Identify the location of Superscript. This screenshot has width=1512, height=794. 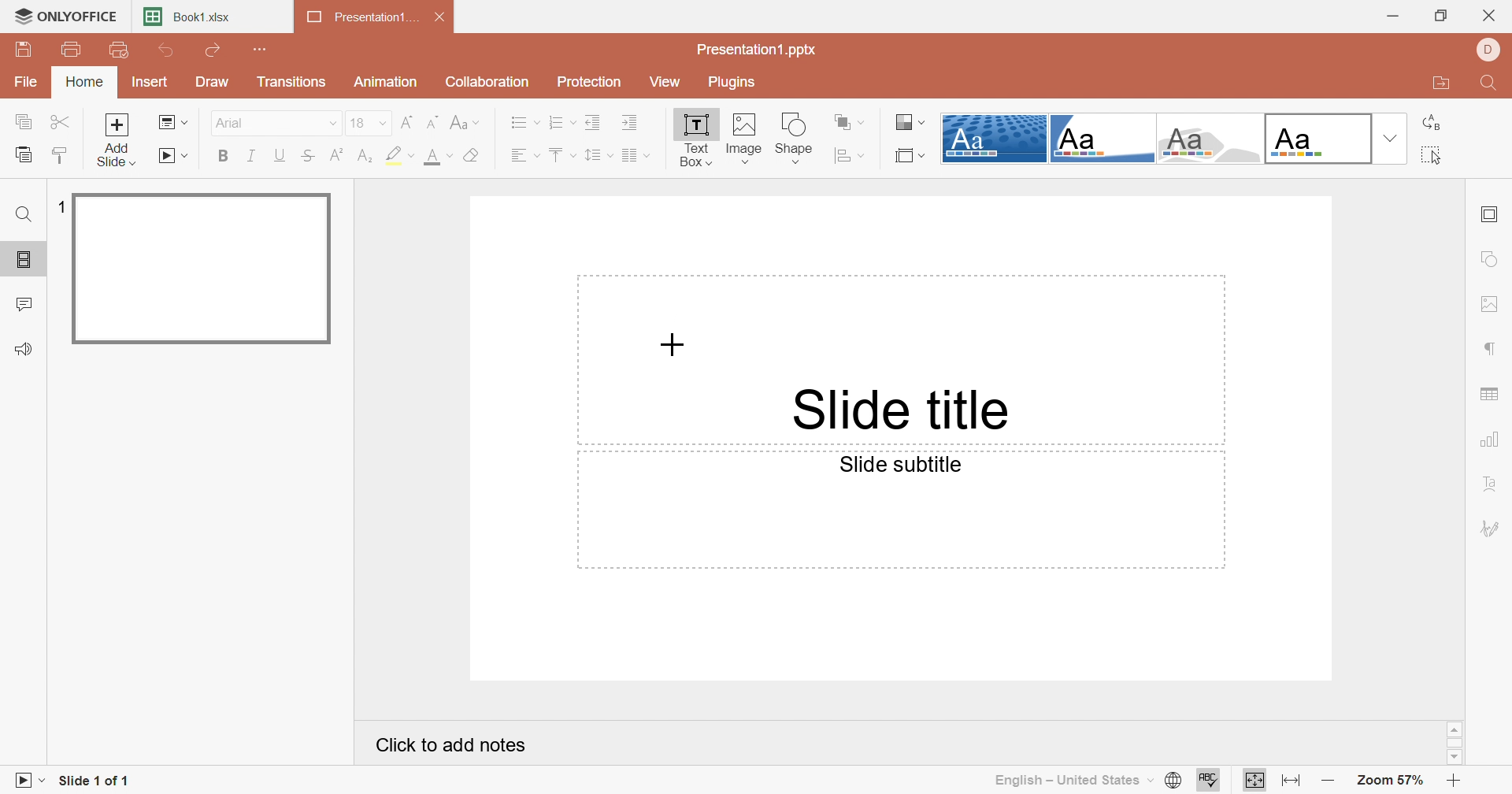
(336, 156).